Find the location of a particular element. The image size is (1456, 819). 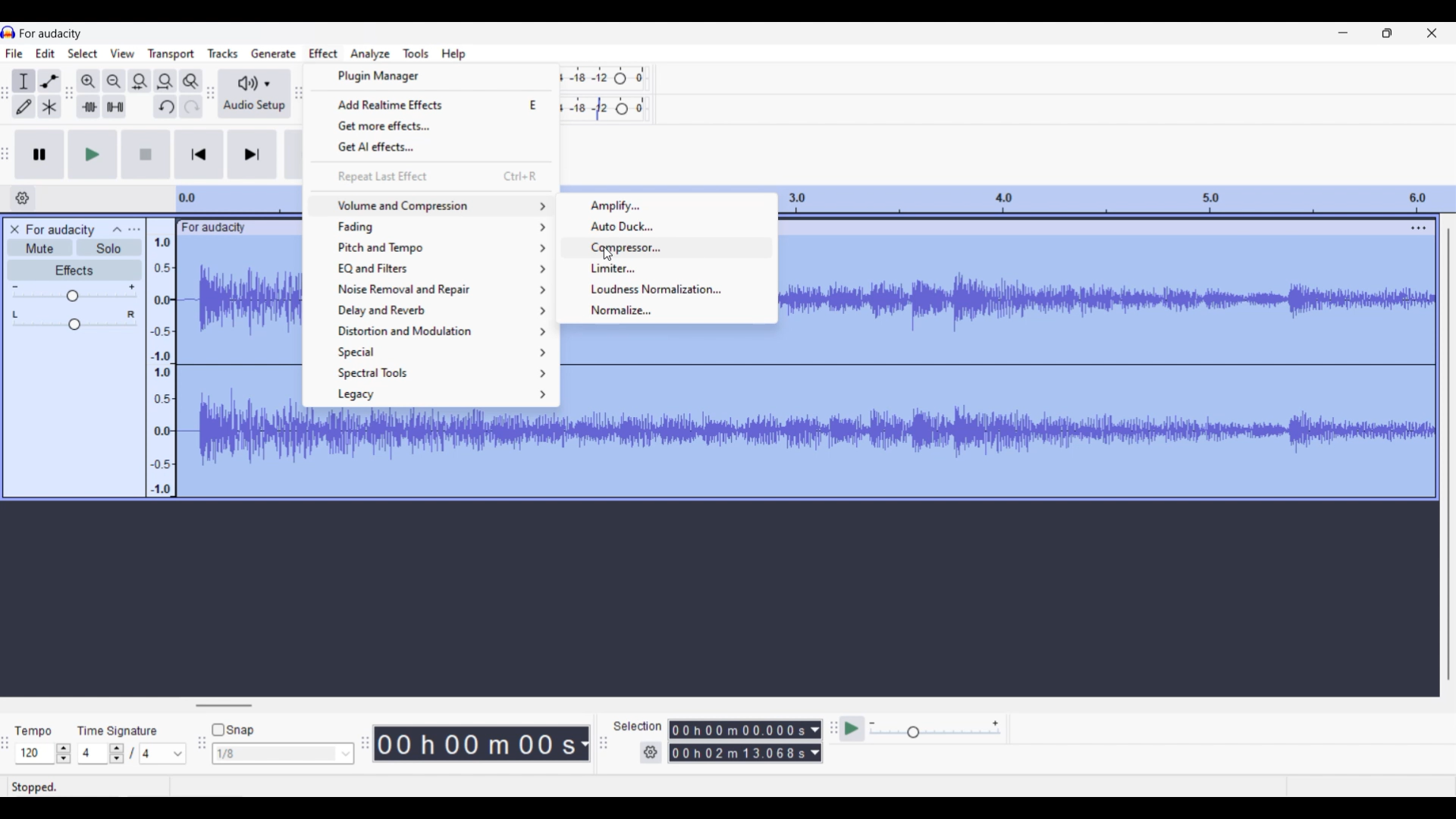

Skip/Select to end is located at coordinates (253, 155).